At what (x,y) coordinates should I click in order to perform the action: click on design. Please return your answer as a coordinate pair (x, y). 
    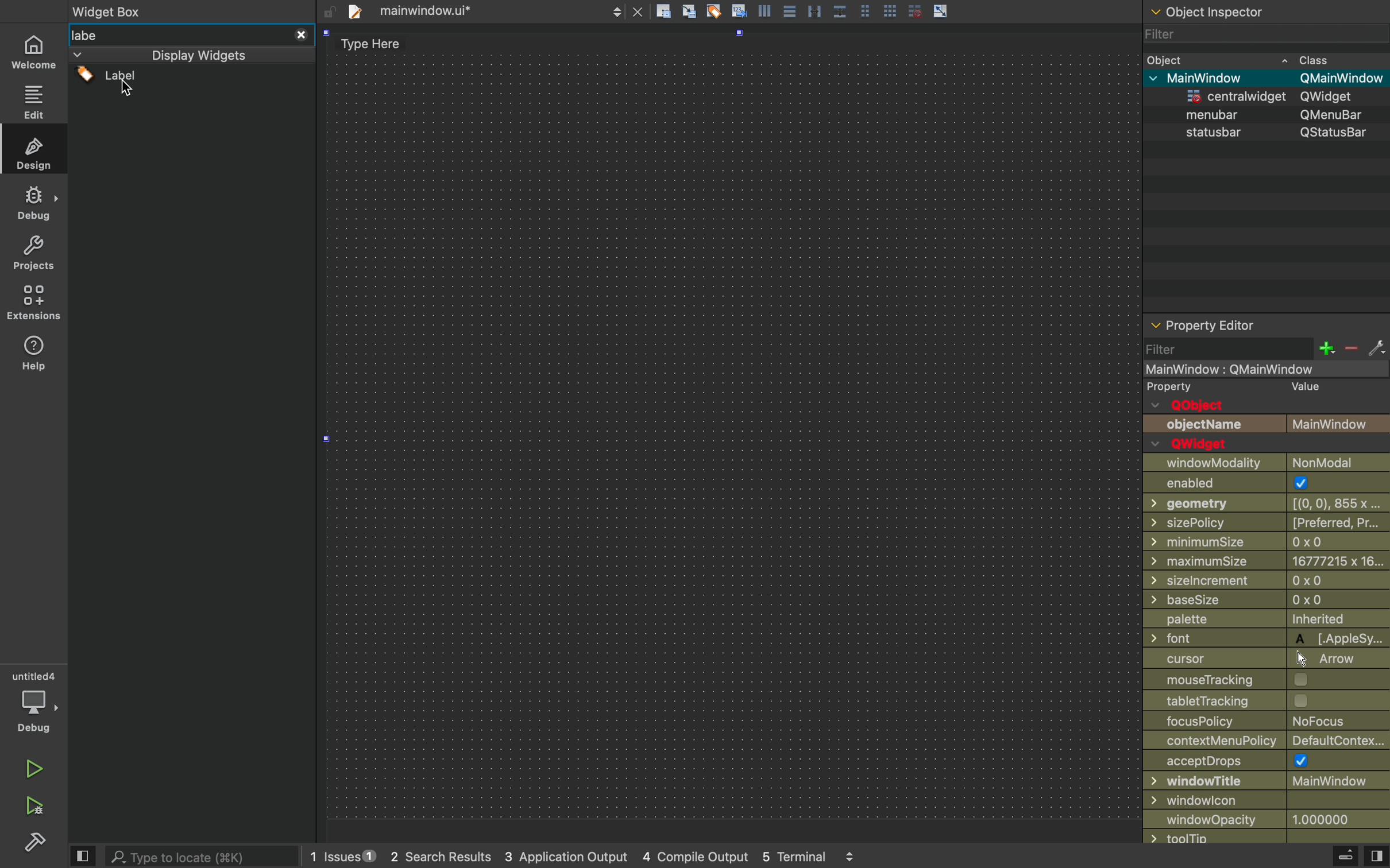
    Looking at the image, I should click on (33, 149).